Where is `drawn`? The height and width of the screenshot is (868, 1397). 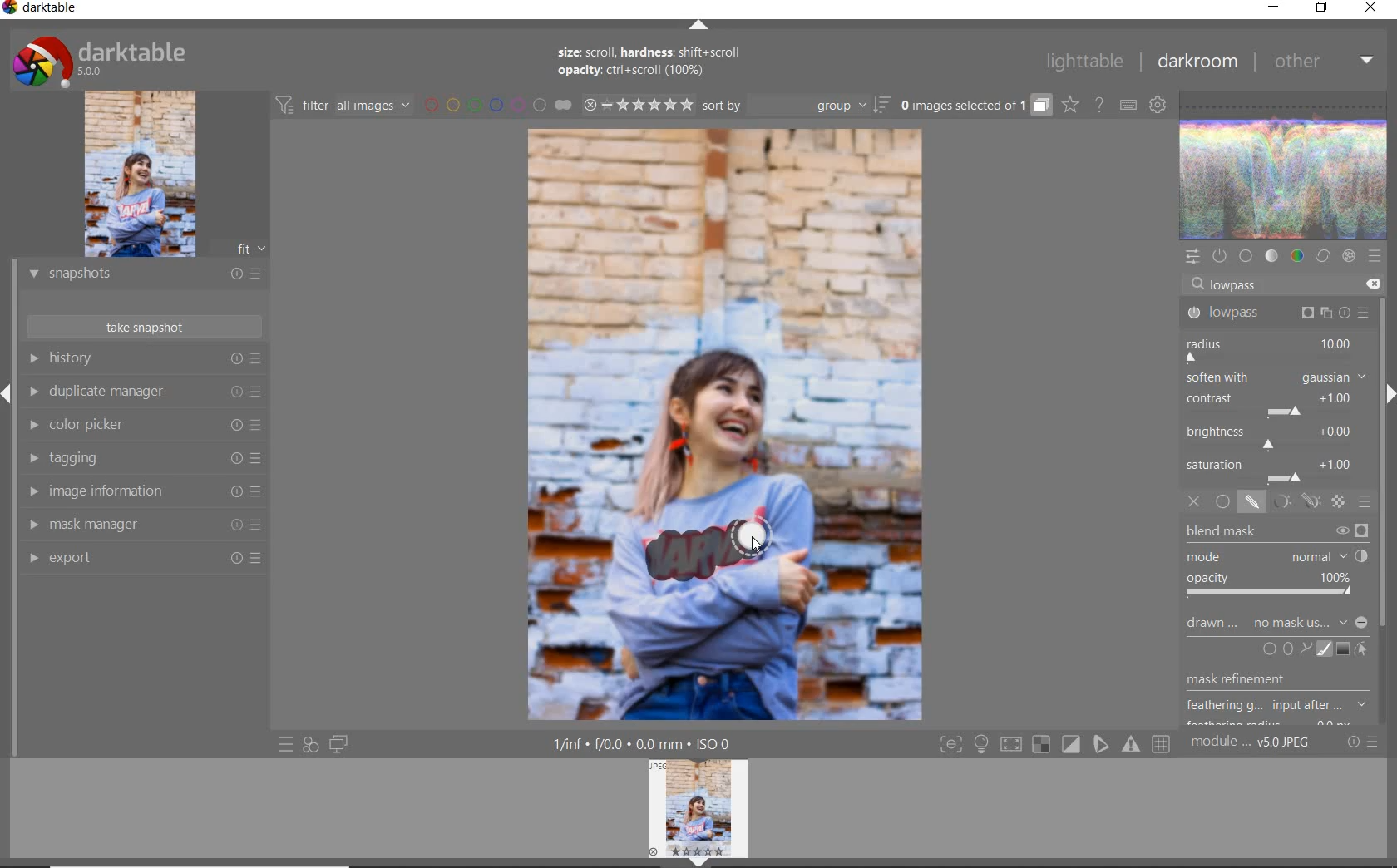
drawn is located at coordinates (1213, 625).